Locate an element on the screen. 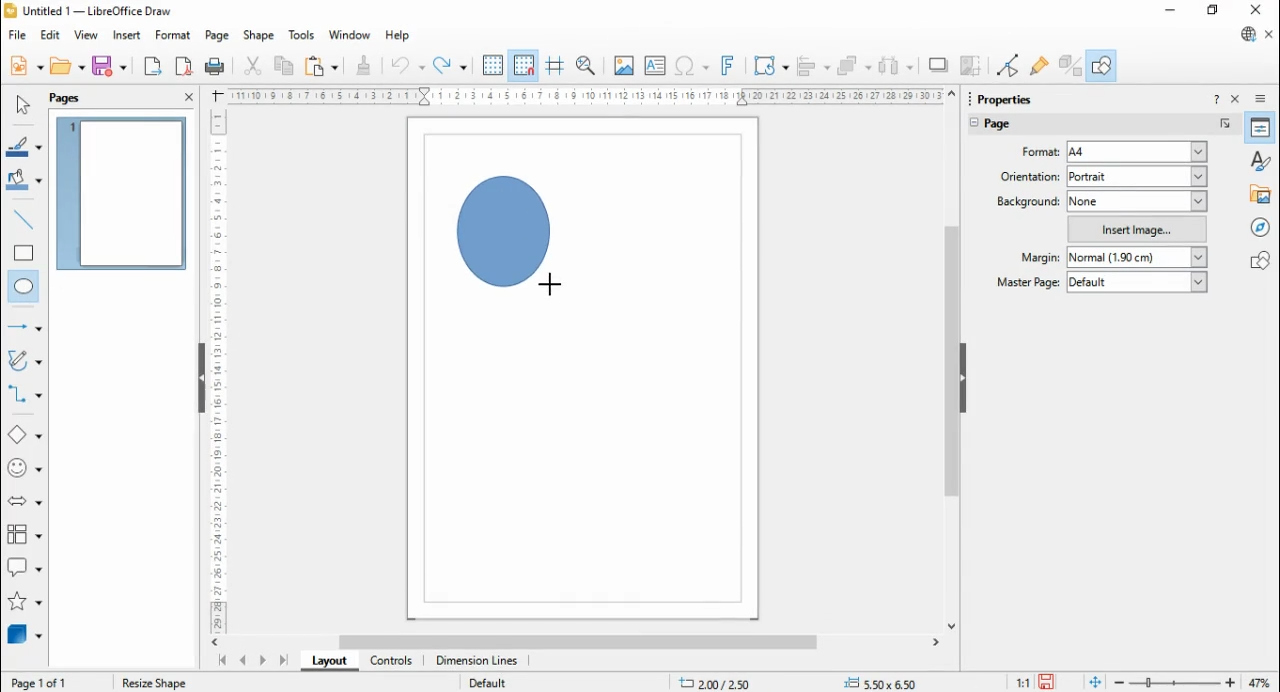 The width and height of the screenshot is (1280, 692). tools is located at coordinates (303, 36).